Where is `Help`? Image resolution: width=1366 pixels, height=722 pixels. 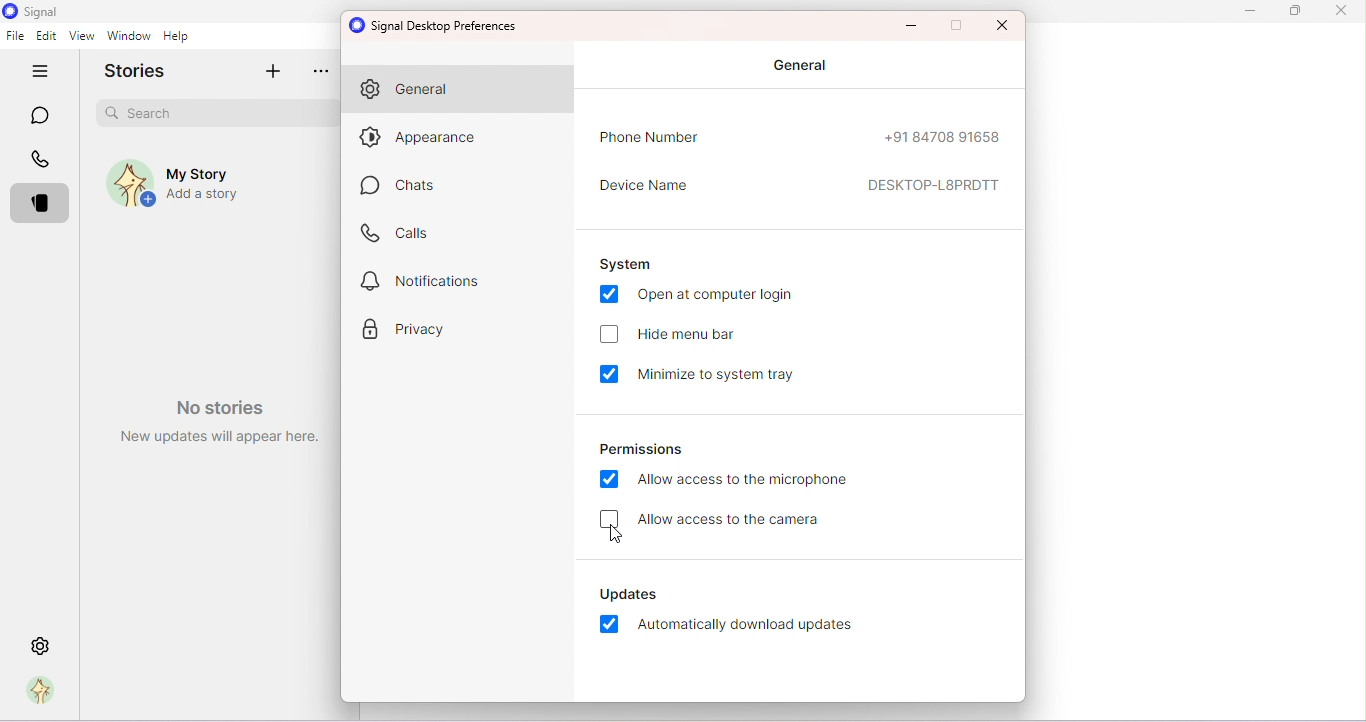 Help is located at coordinates (177, 38).